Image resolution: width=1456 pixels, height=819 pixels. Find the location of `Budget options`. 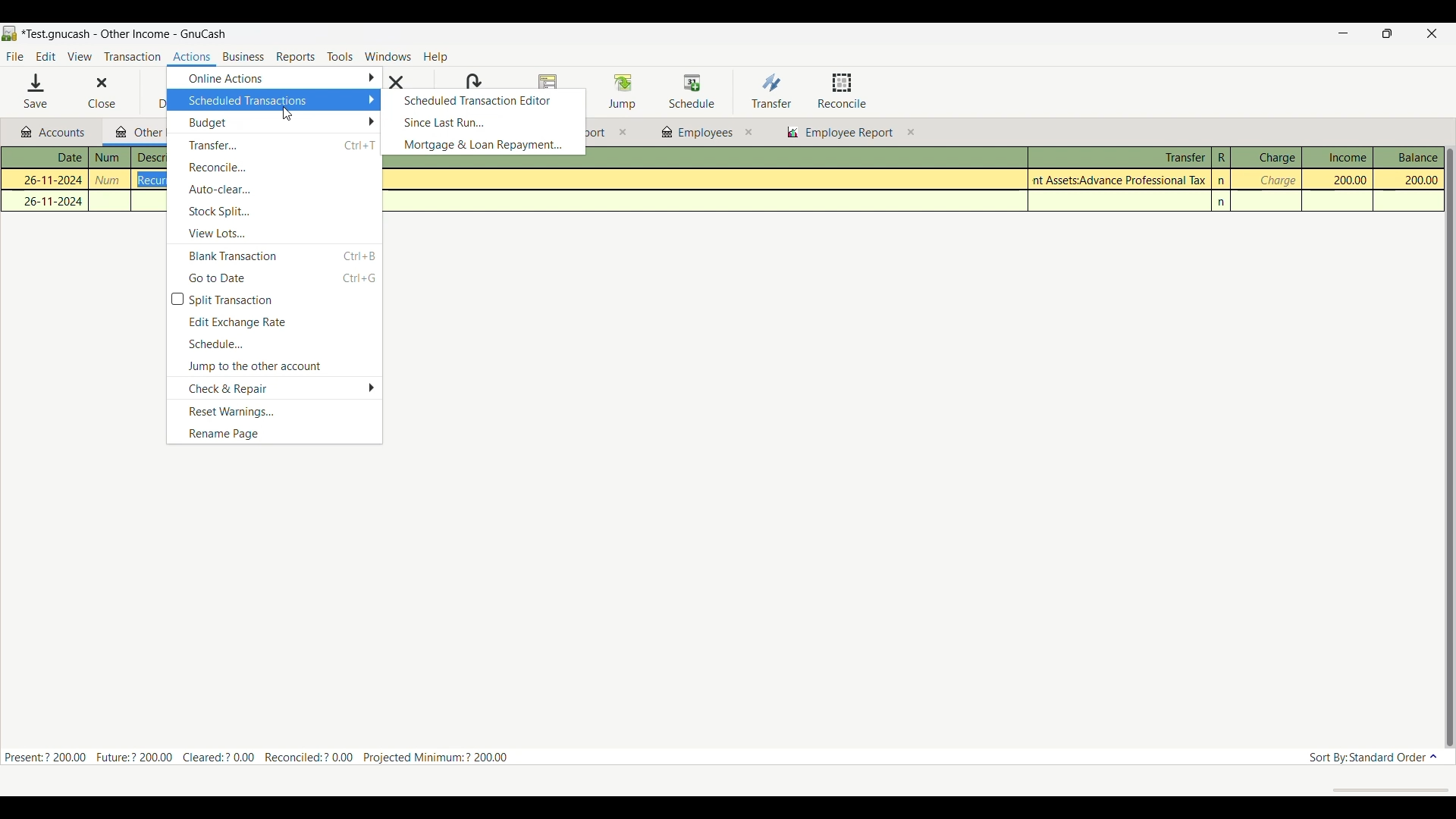

Budget options is located at coordinates (274, 122).